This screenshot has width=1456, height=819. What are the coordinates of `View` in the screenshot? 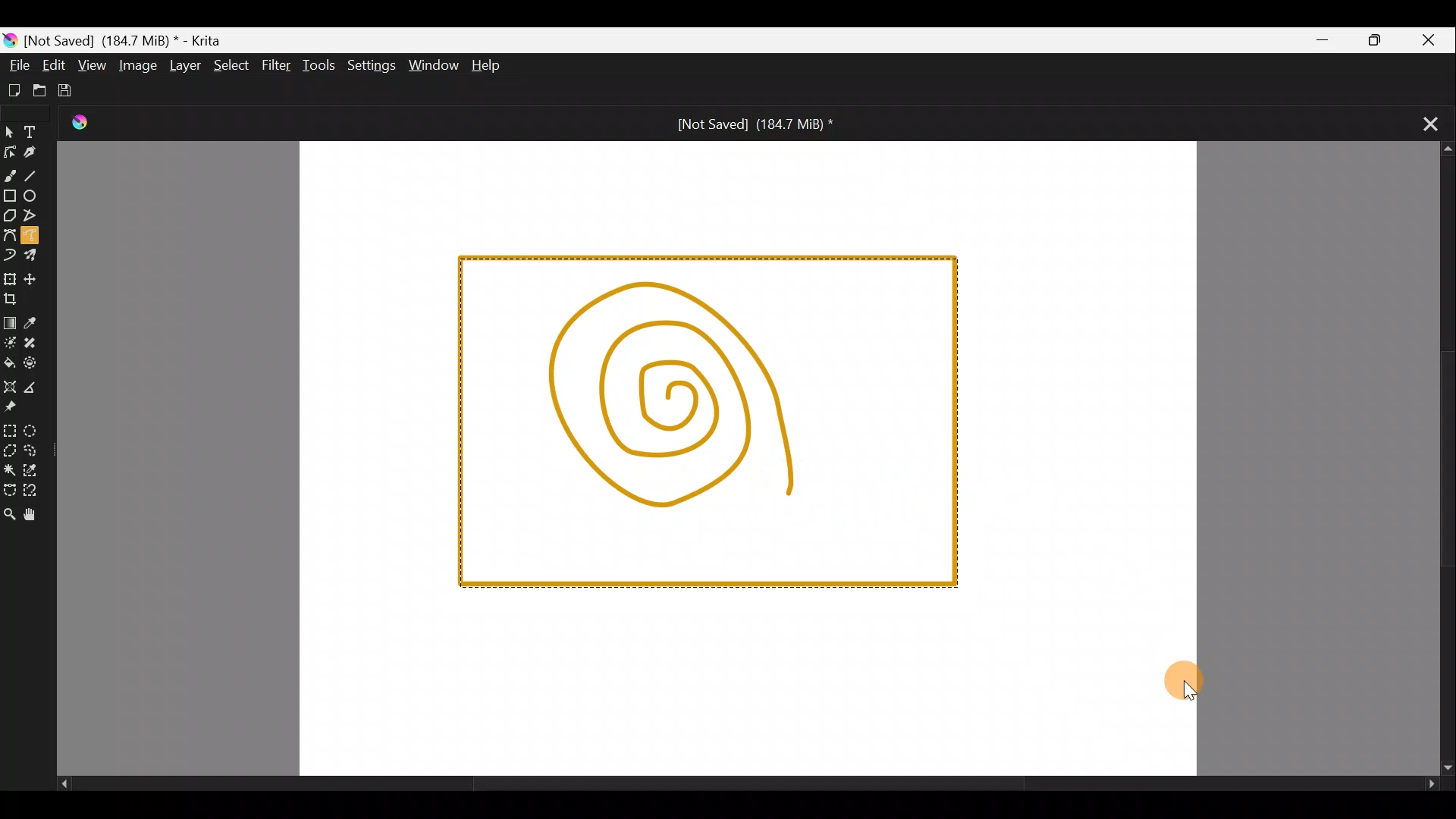 It's located at (92, 65).